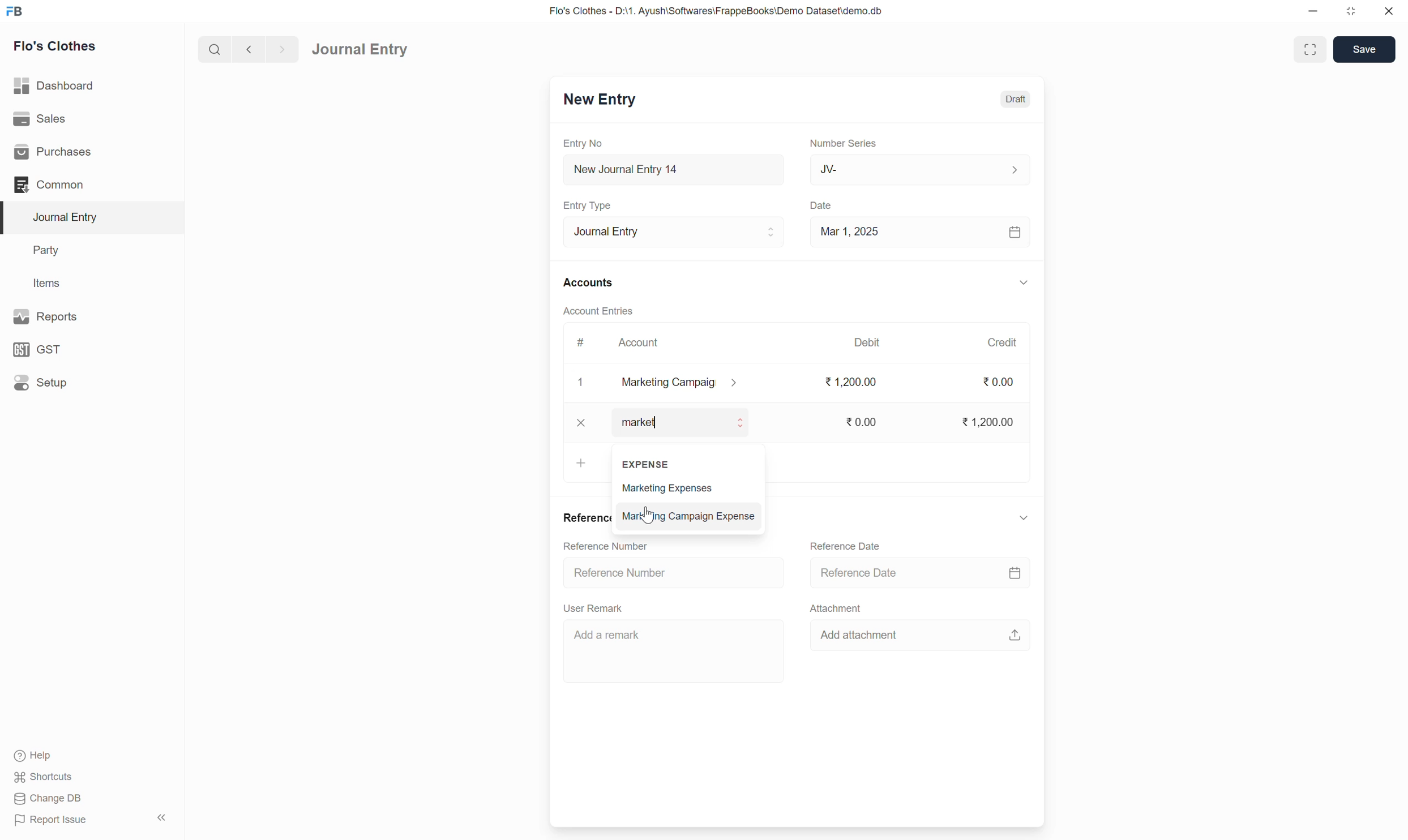 The height and width of the screenshot is (840, 1408). I want to click on User Remark, so click(604, 607).